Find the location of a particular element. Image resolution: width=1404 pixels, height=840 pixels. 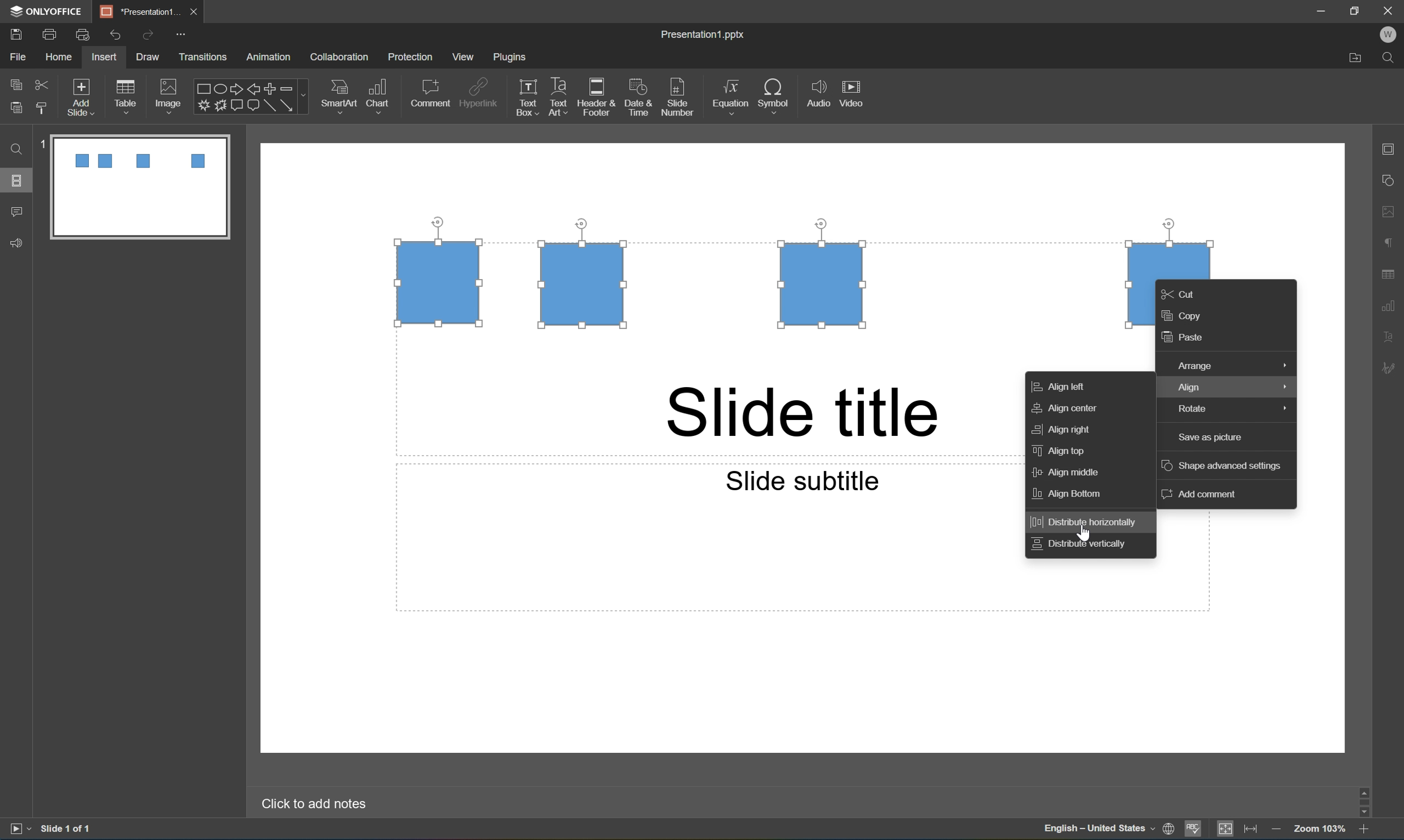

zoom out is located at coordinates (1277, 831).